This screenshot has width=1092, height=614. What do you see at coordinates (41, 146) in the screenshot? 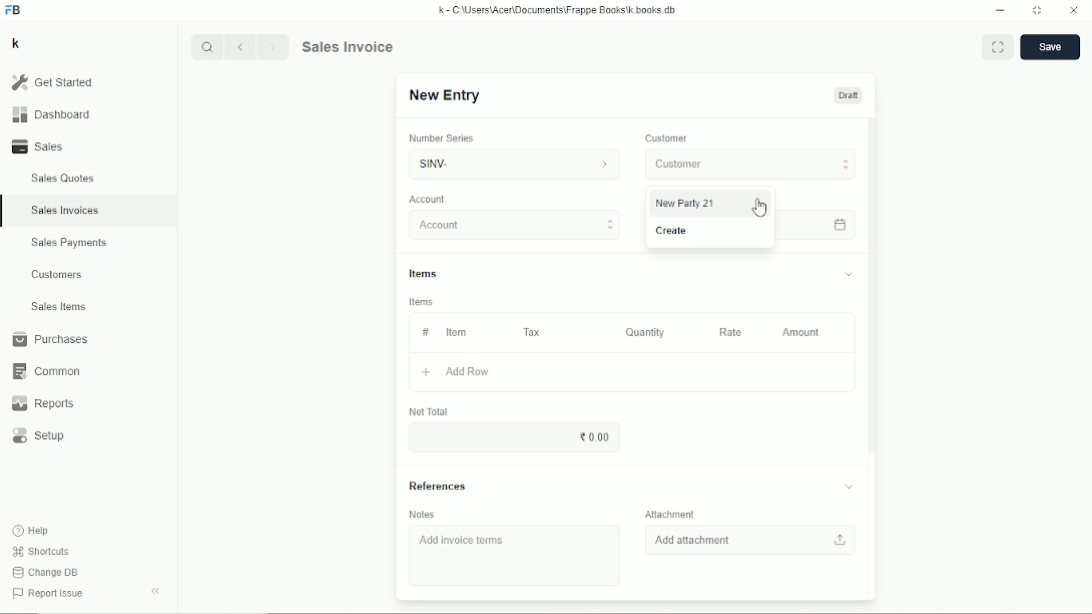
I see `Sales` at bounding box center [41, 146].